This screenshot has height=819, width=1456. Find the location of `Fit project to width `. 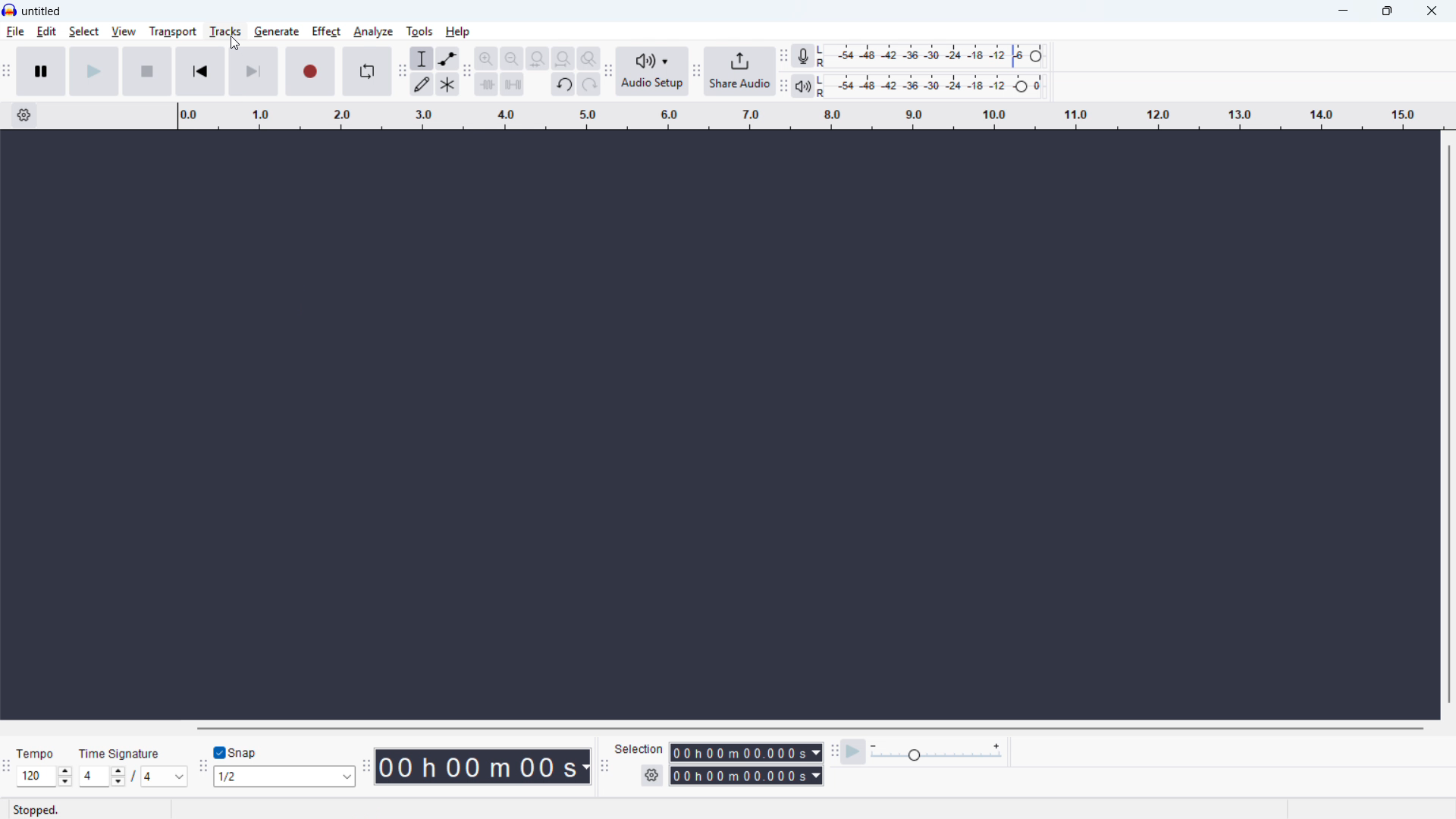

Fit project to width  is located at coordinates (564, 58).